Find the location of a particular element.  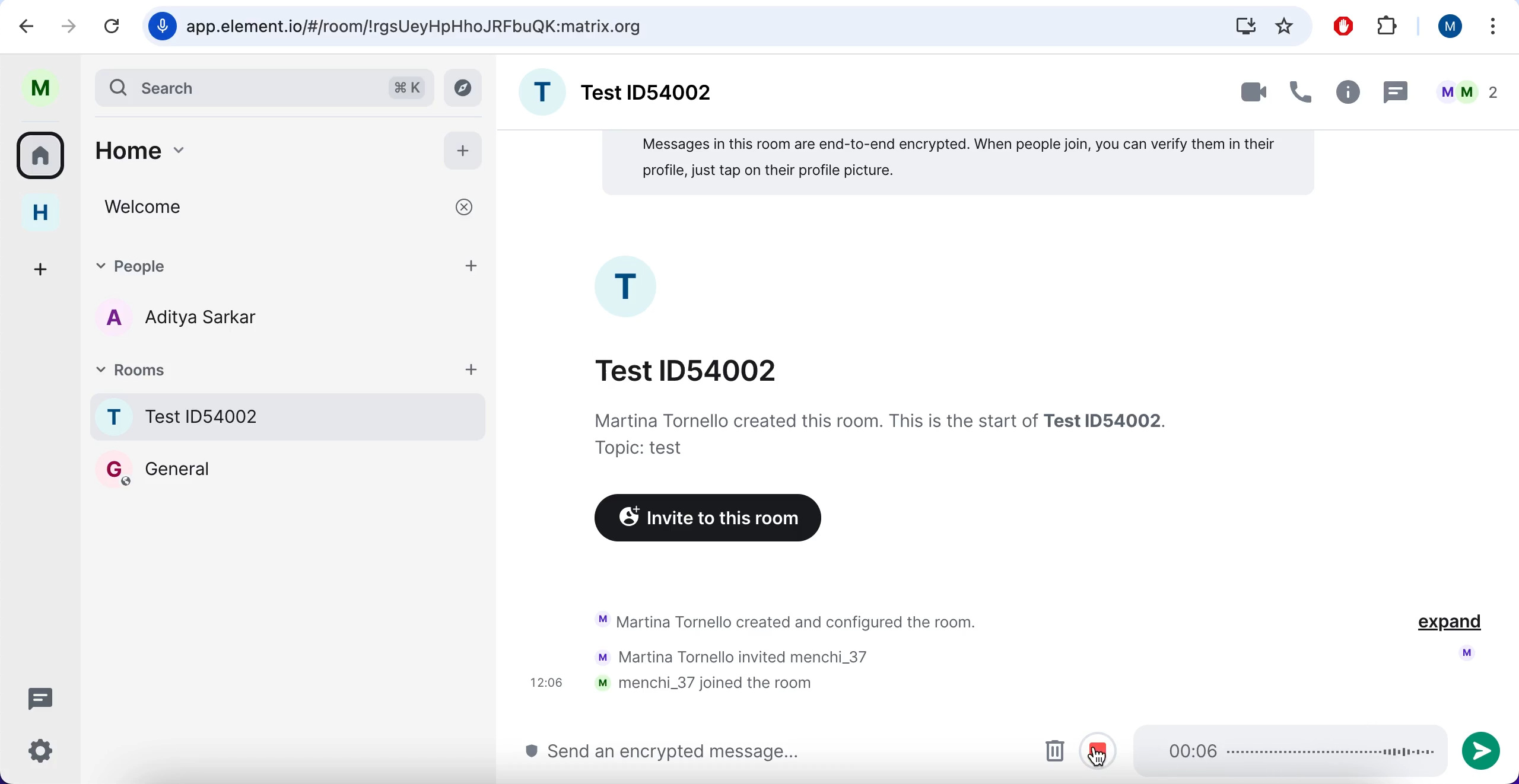

expand is located at coordinates (1449, 624).